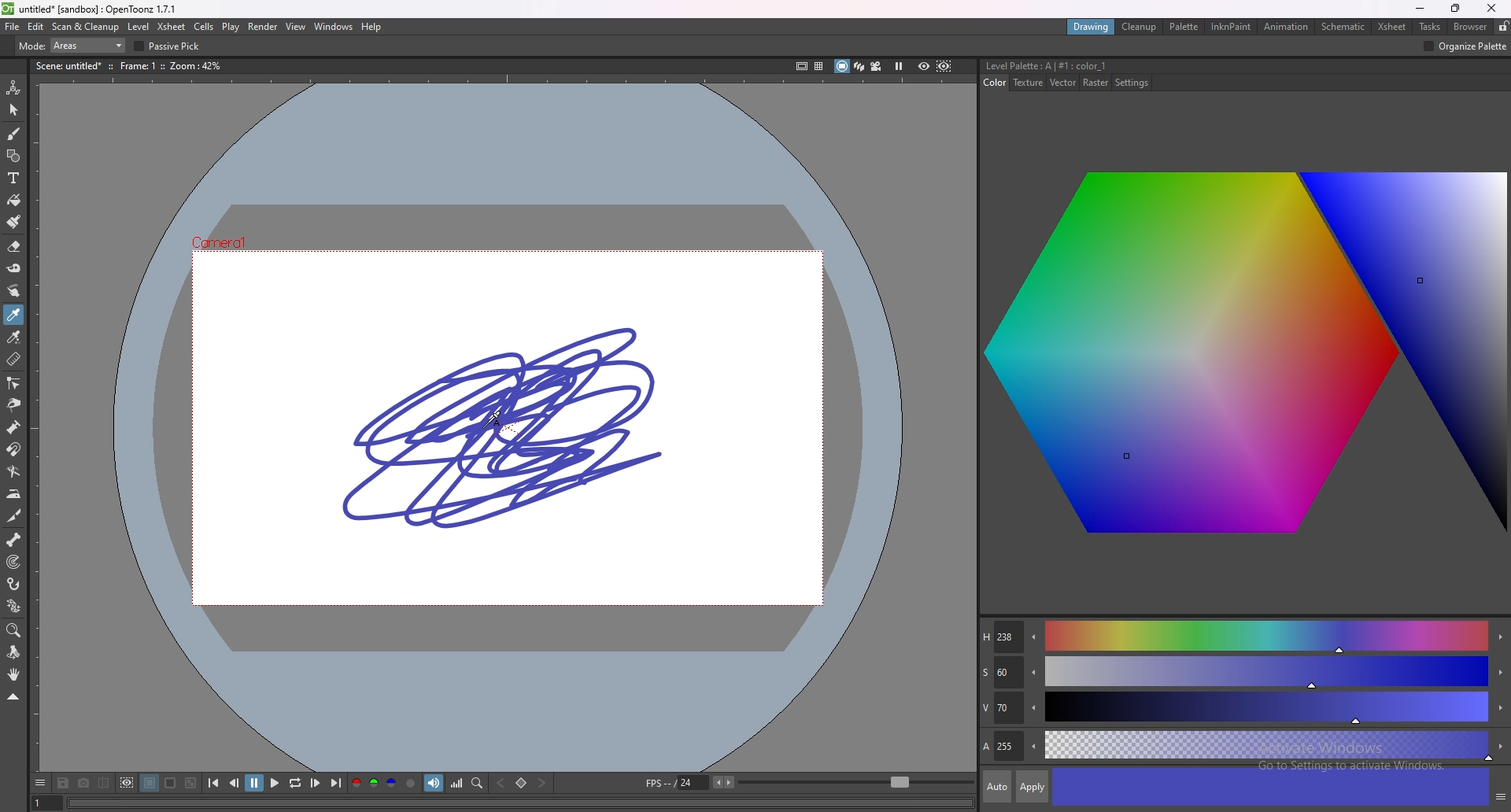  I want to click on file, so click(13, 27).